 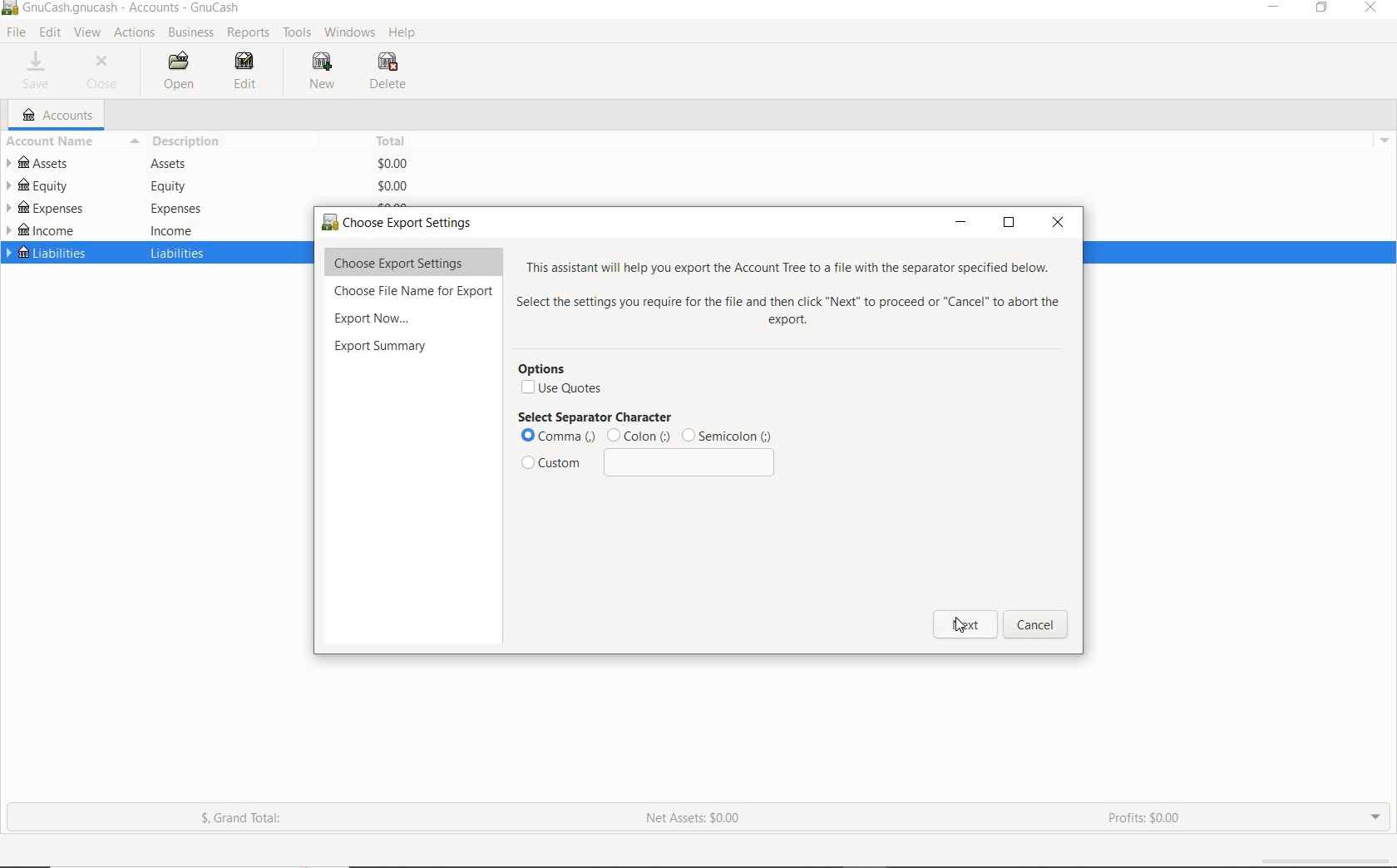 What do you see at coordinates (190, 33) in the screenshot?
I see `BUSINESS` at bounding box center [190, 33].